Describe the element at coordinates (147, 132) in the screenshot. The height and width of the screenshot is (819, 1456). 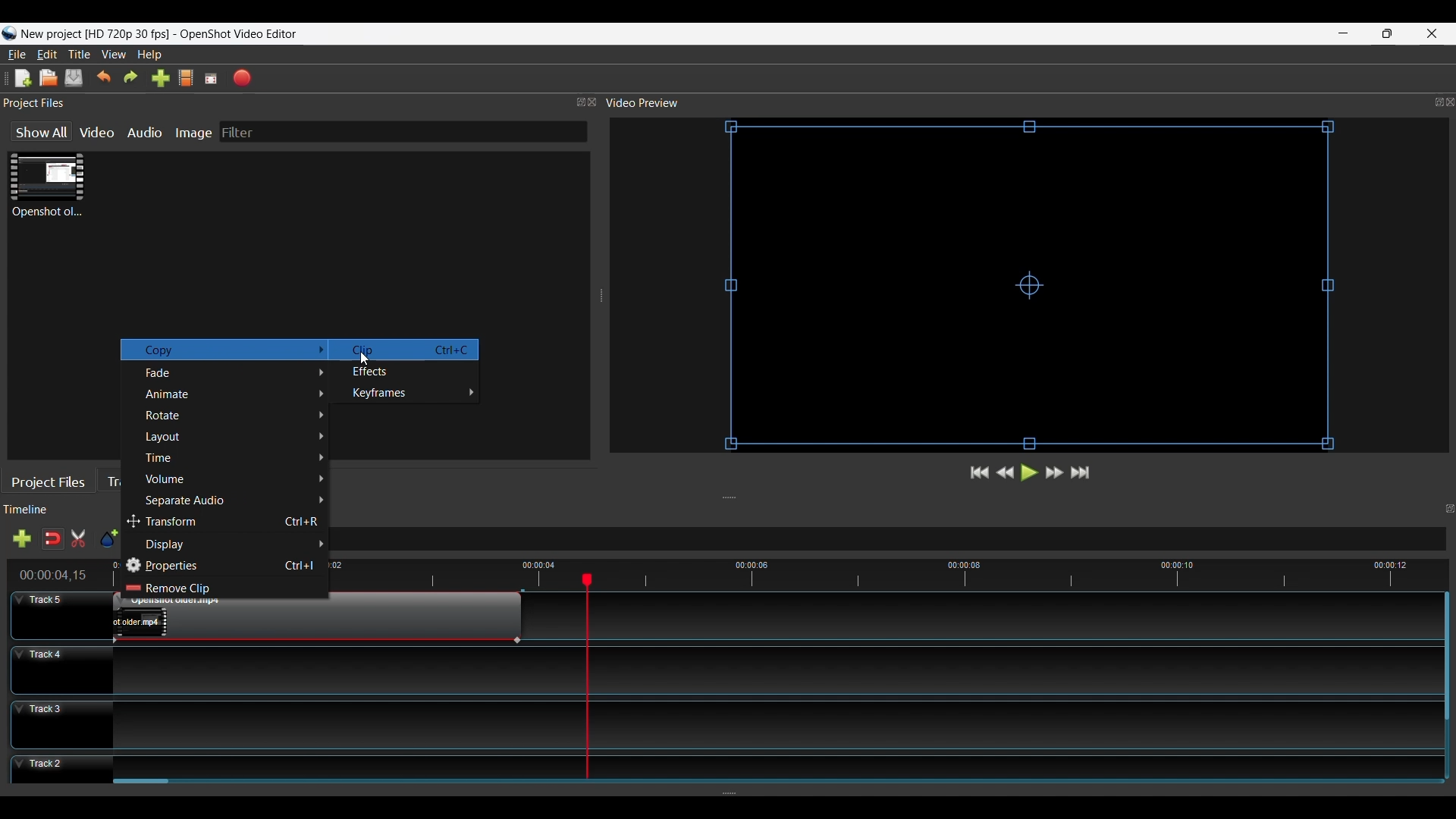
I see `Audio` at that location.